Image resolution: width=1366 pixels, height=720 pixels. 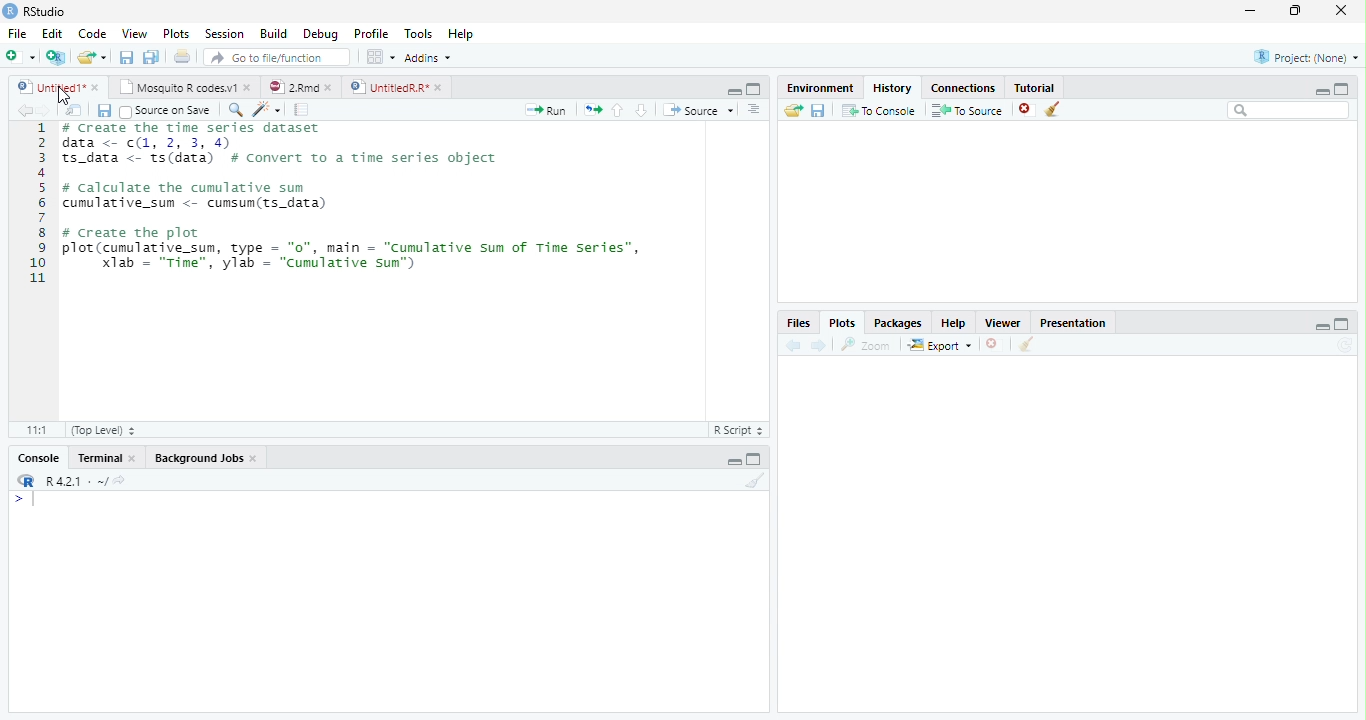 I want to click on Save all, so click(x=150, y=58).